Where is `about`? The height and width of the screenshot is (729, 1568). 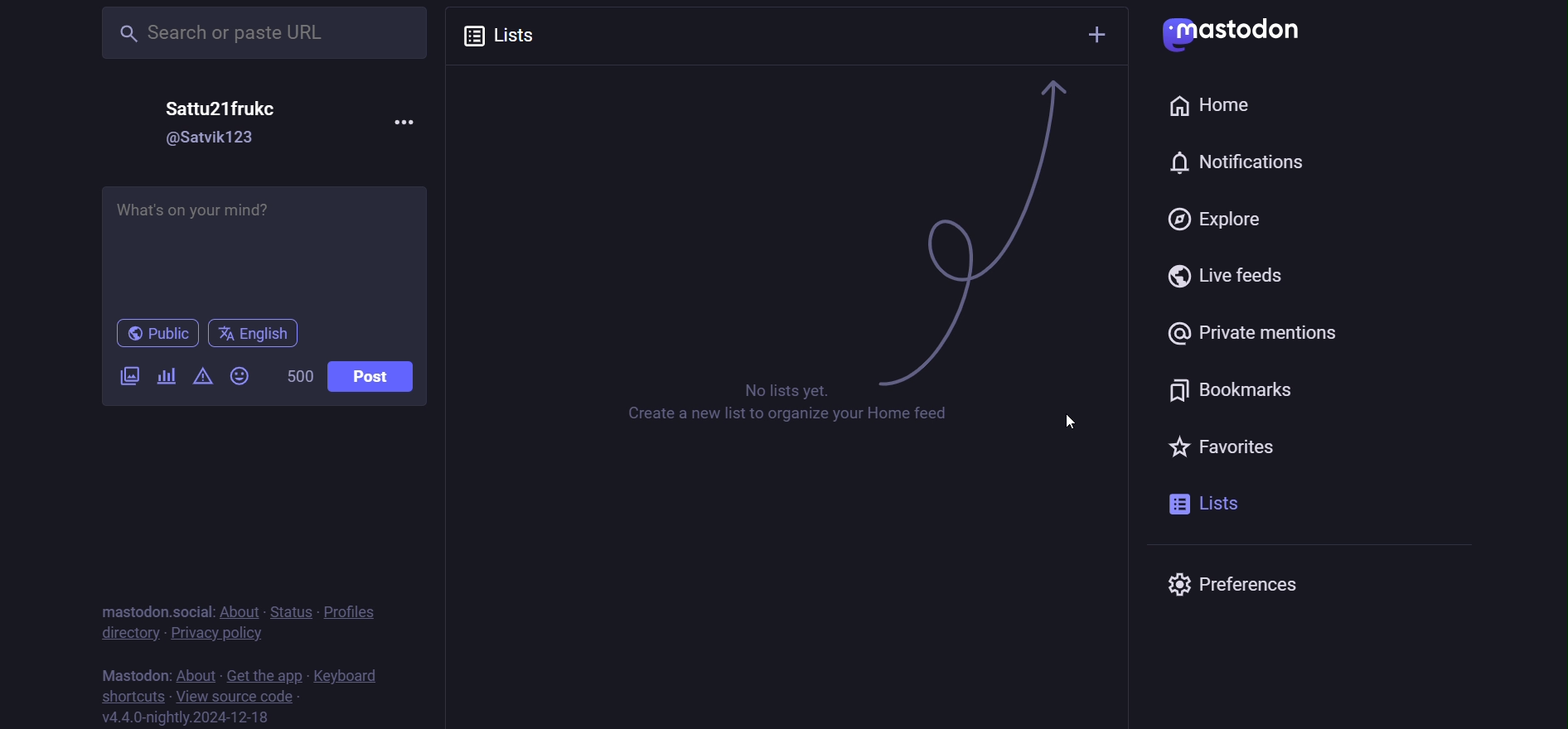 about is located at coordinates (236, 608).